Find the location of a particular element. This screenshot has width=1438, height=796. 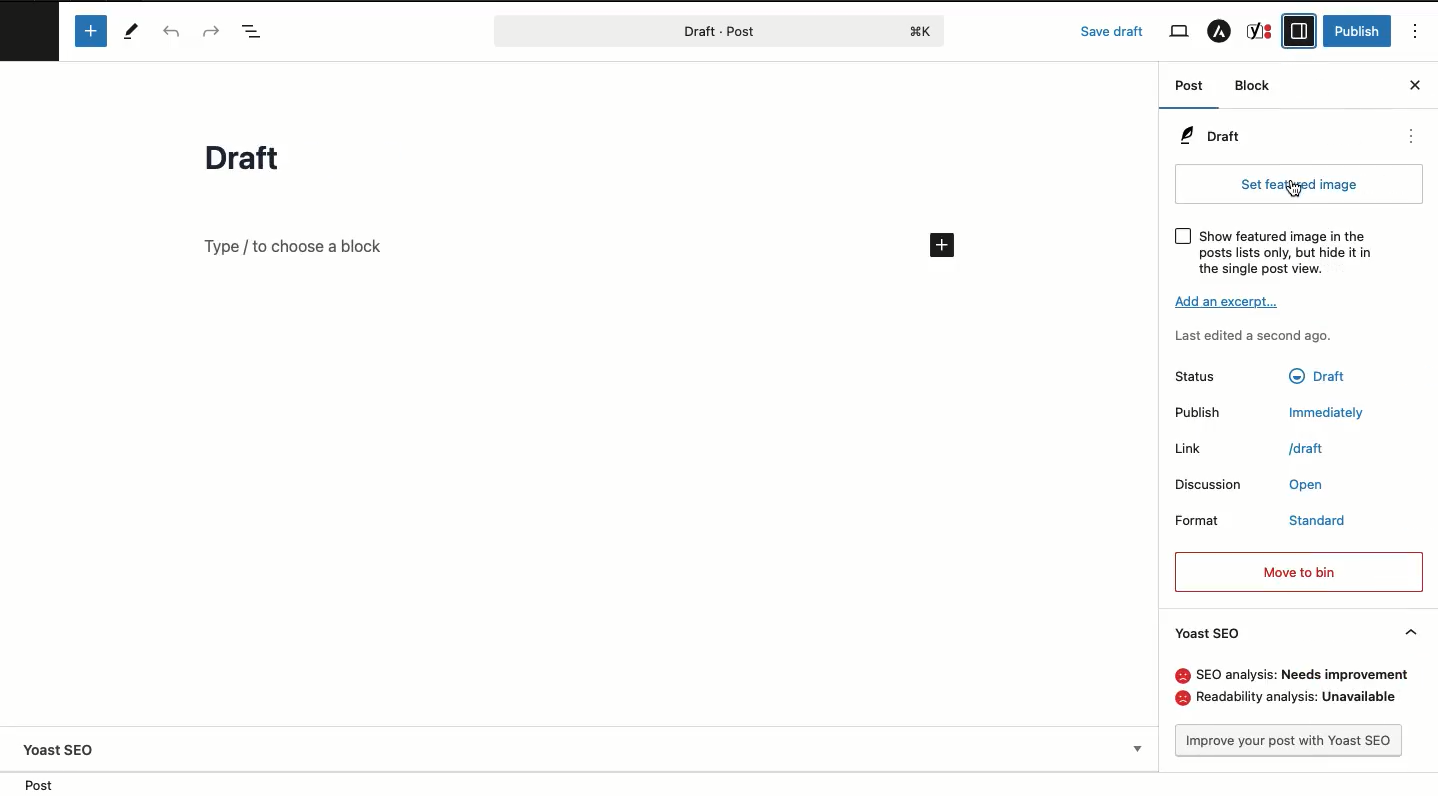

Checkbox  is located at coordinates (1182, 235).